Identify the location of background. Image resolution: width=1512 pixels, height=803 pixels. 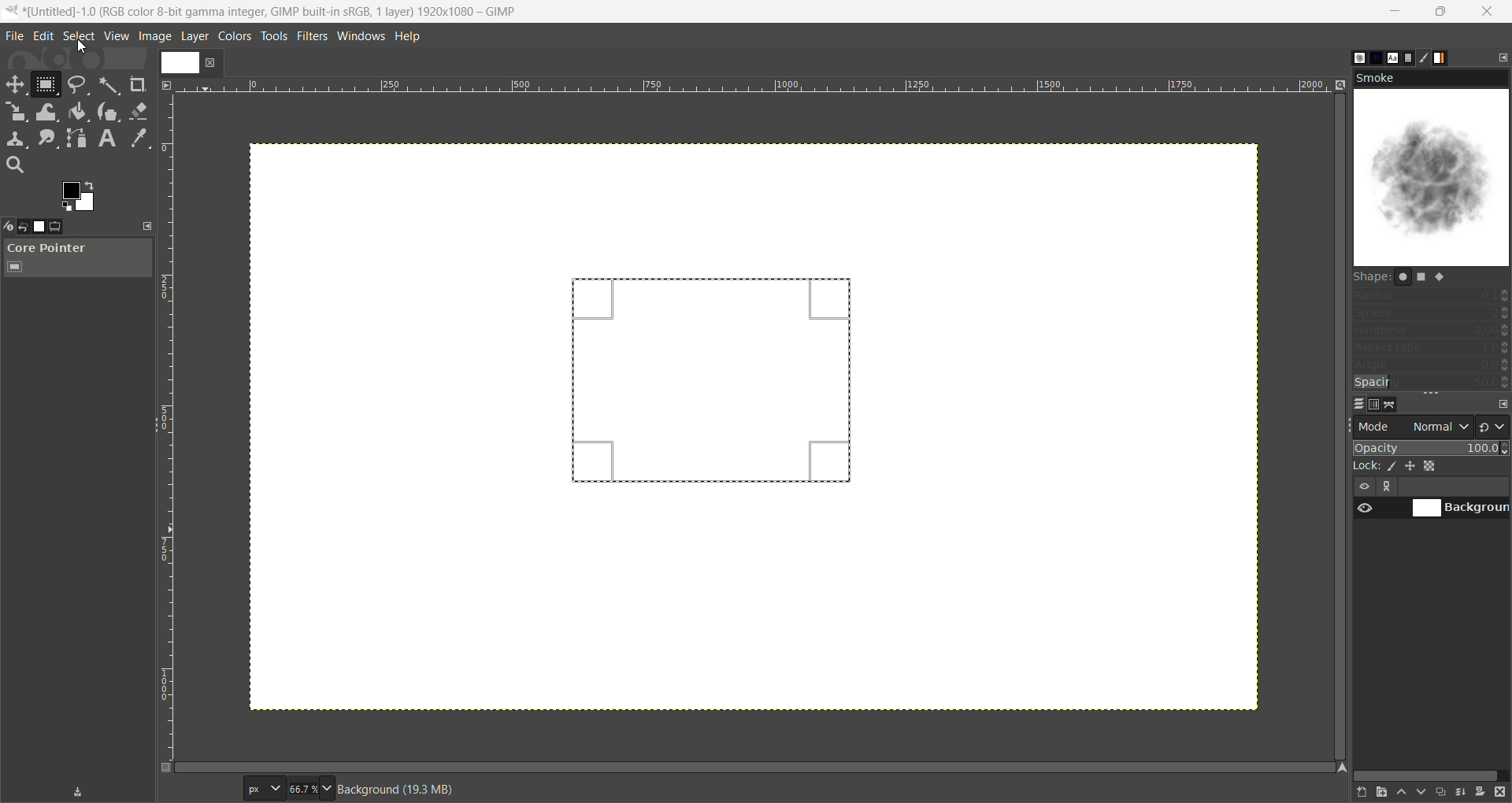
(399, 790).